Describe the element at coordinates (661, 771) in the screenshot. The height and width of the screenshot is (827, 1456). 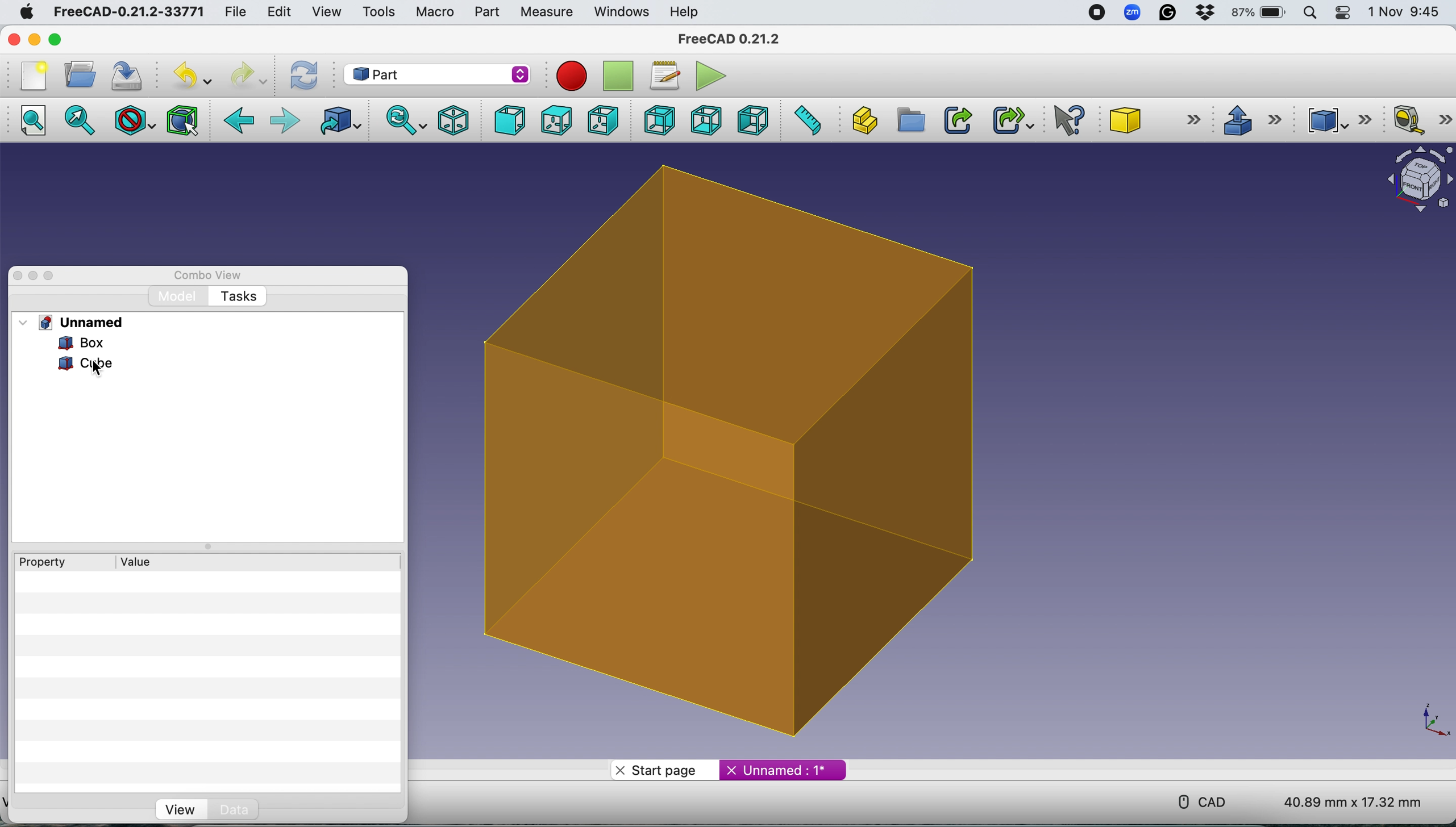
I see `Start page` at that location.